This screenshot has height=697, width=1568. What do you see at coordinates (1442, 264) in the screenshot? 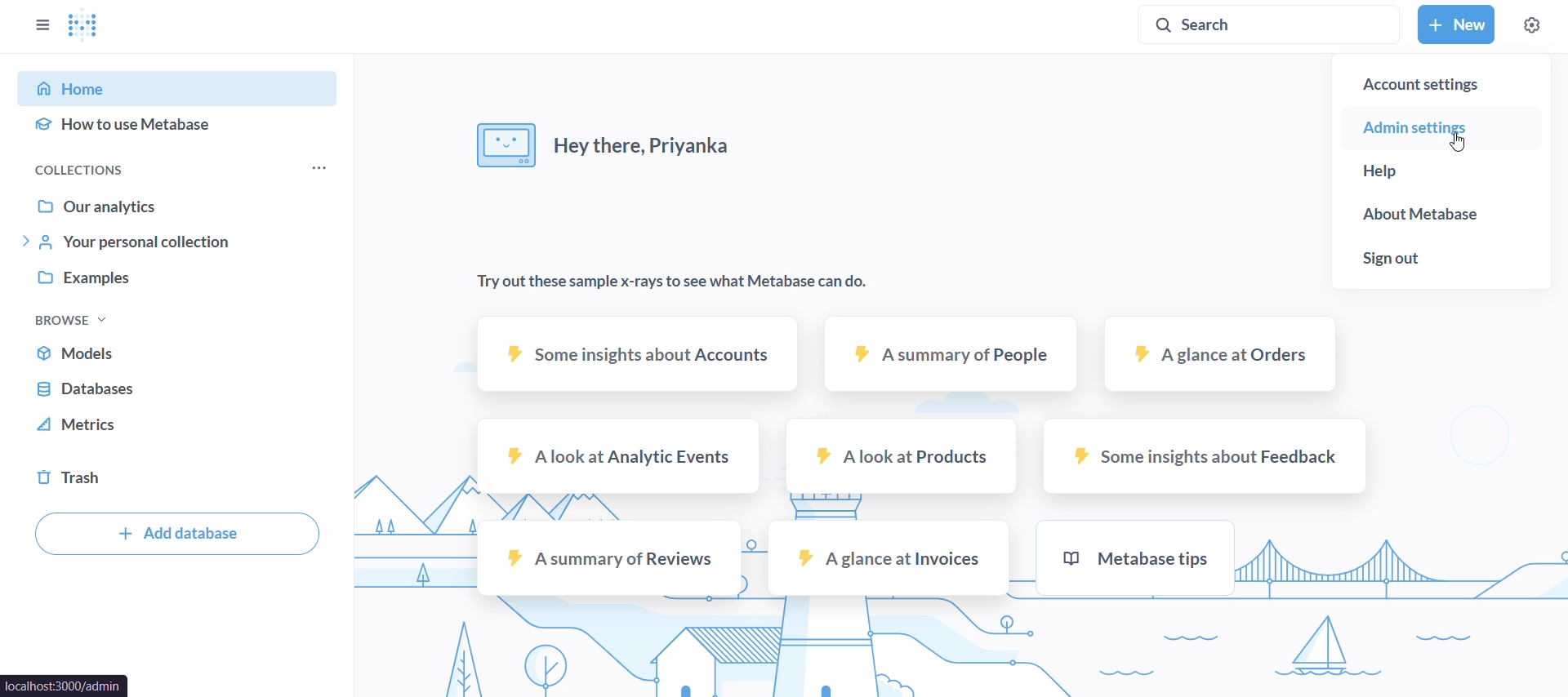
I see `sign out` at bounding box center [1442, 264].